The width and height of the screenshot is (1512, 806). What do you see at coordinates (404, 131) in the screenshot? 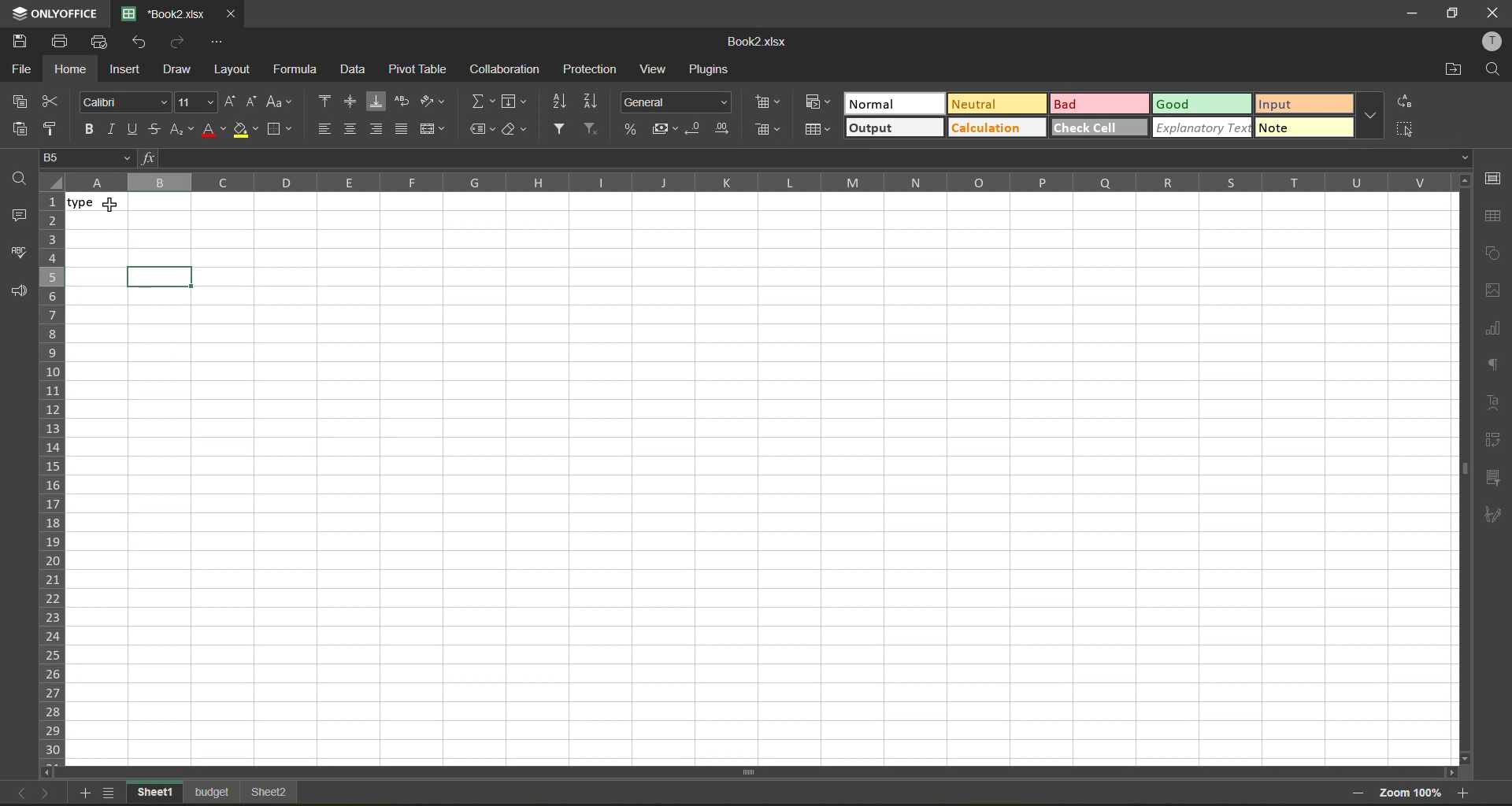
I see `justified` at bounding box center [404, 131].